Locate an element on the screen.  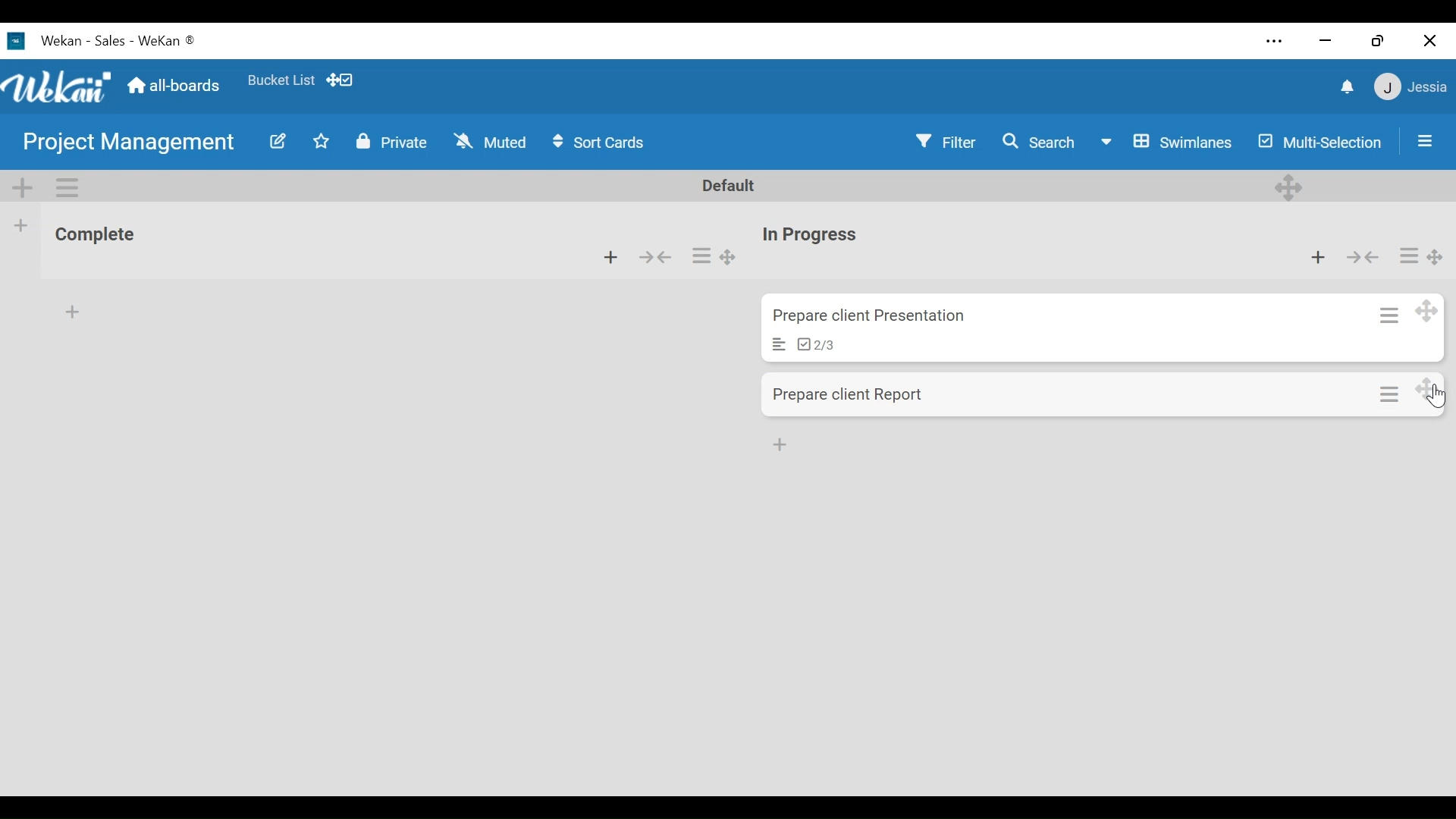
Collapse is located at coordinates (1364, 258).